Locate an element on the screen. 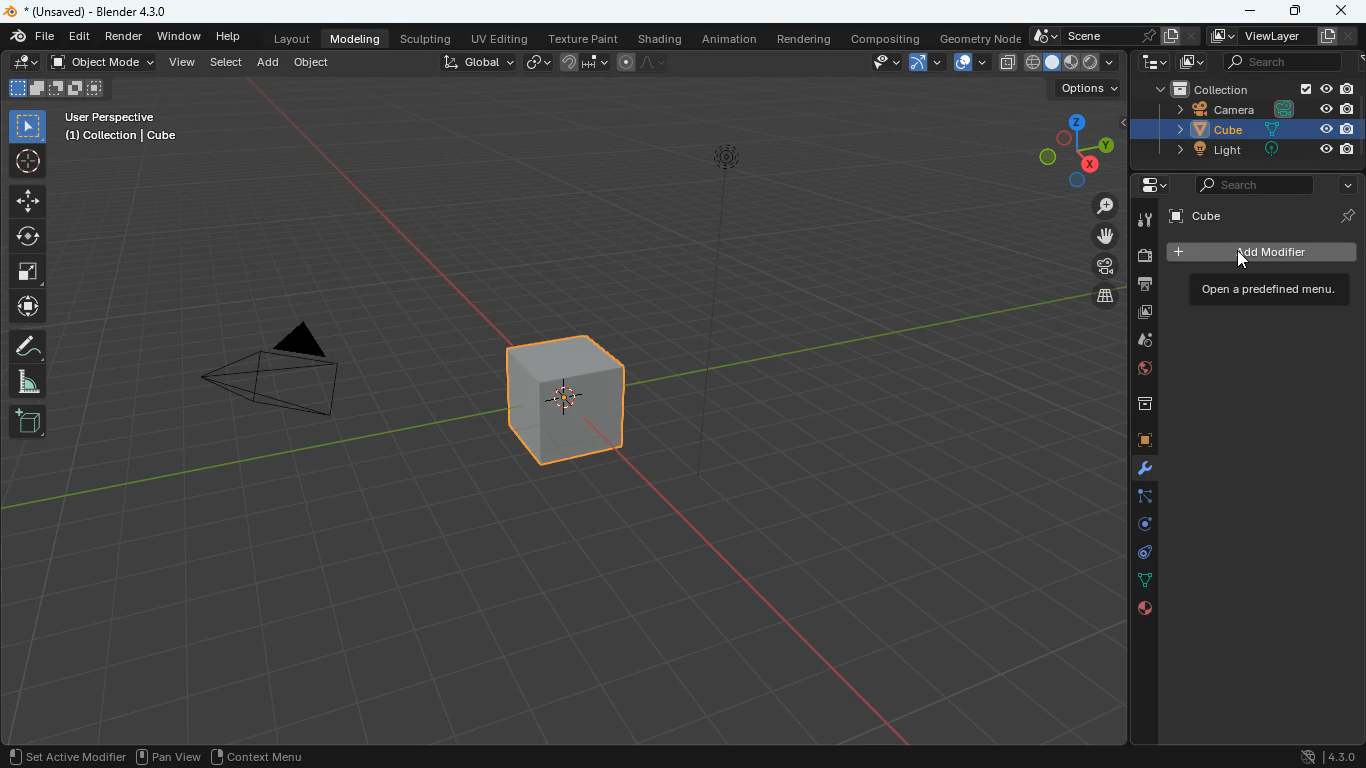  full screen is located at coordinates (28, 274).